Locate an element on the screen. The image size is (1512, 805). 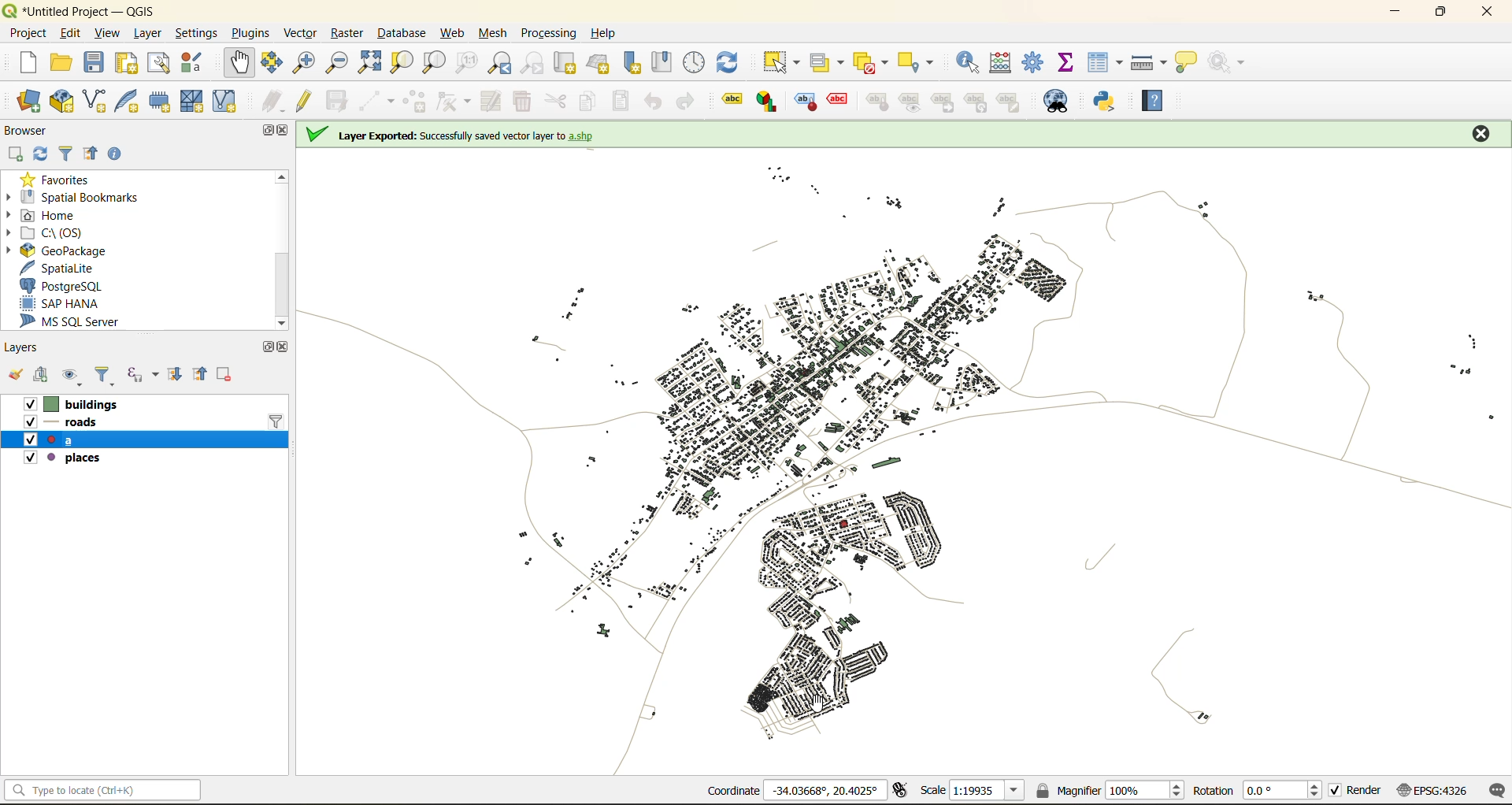
spatial bookmarks is located at coordinates (74, 198).